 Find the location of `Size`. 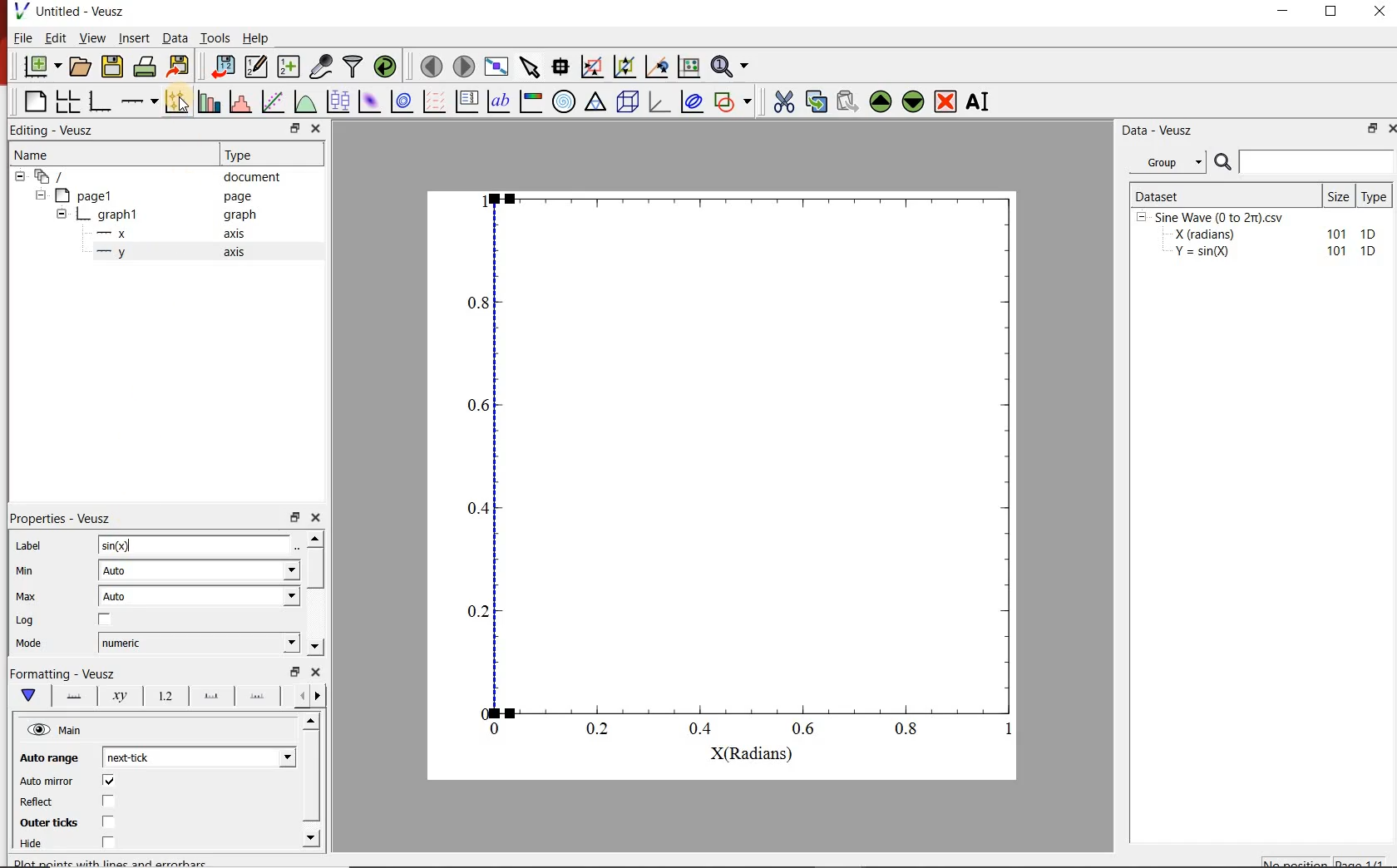

Size is located at coordinates (1340, 195).